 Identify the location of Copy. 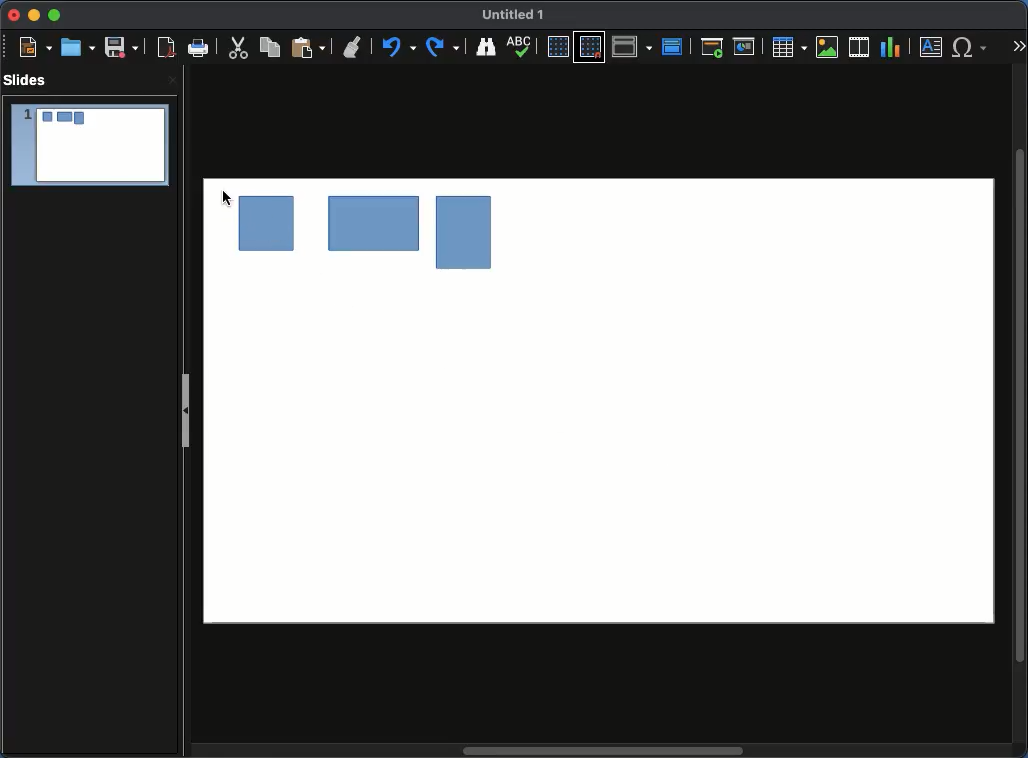
(273, 47).